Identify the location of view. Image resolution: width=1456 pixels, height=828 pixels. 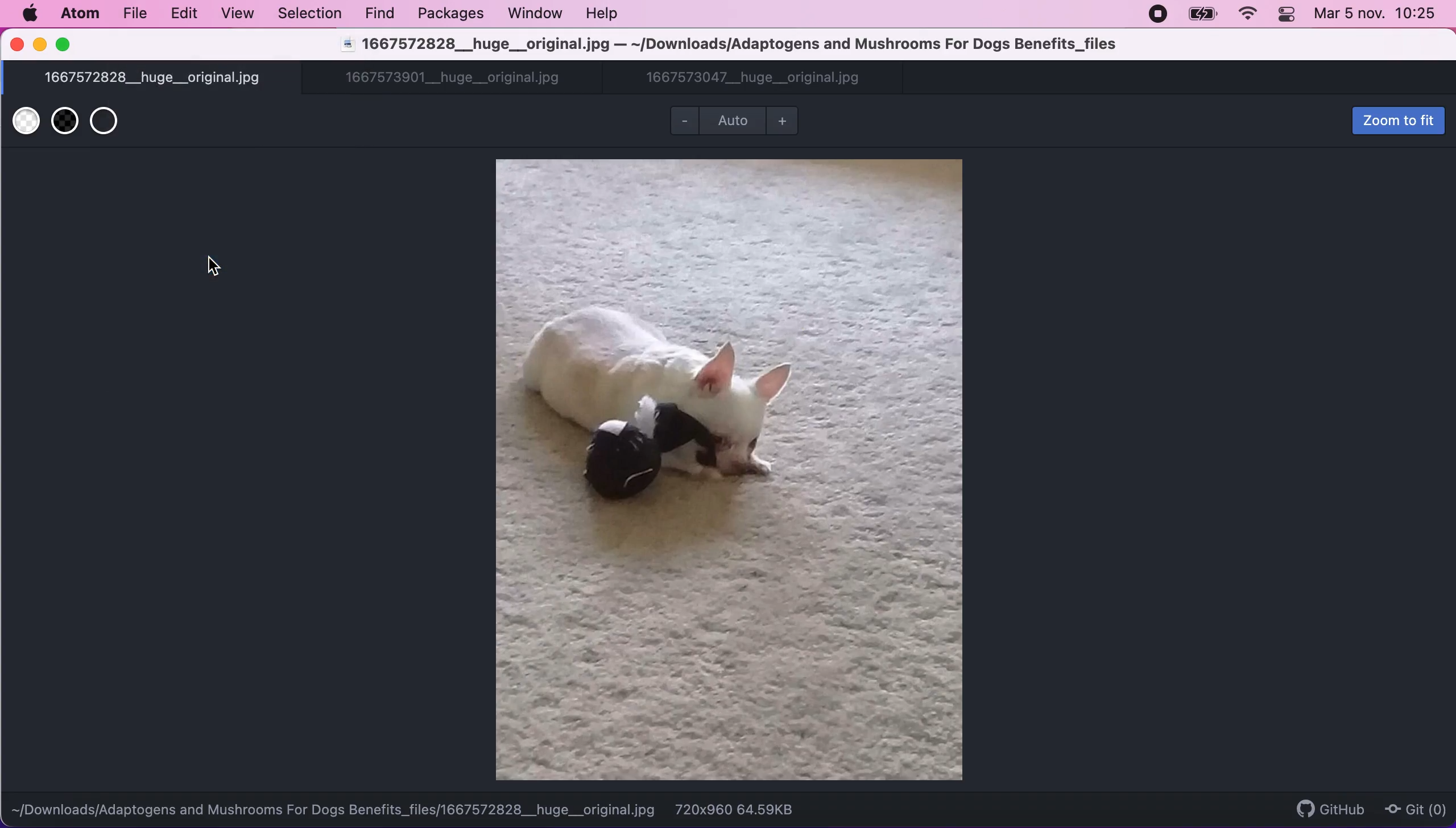
(239, 15).